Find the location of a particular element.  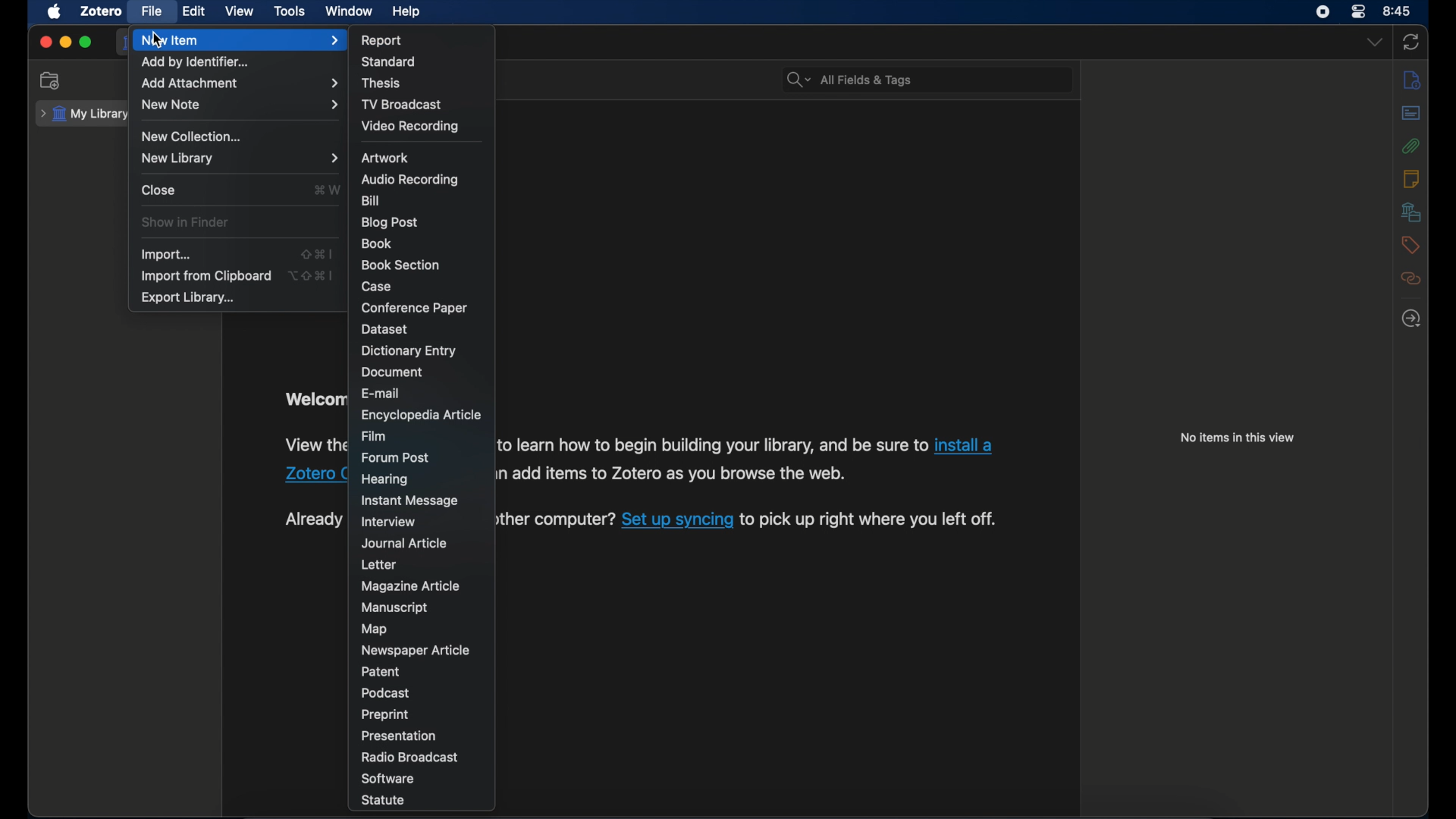

hearing is located at coordinates (385, 479).